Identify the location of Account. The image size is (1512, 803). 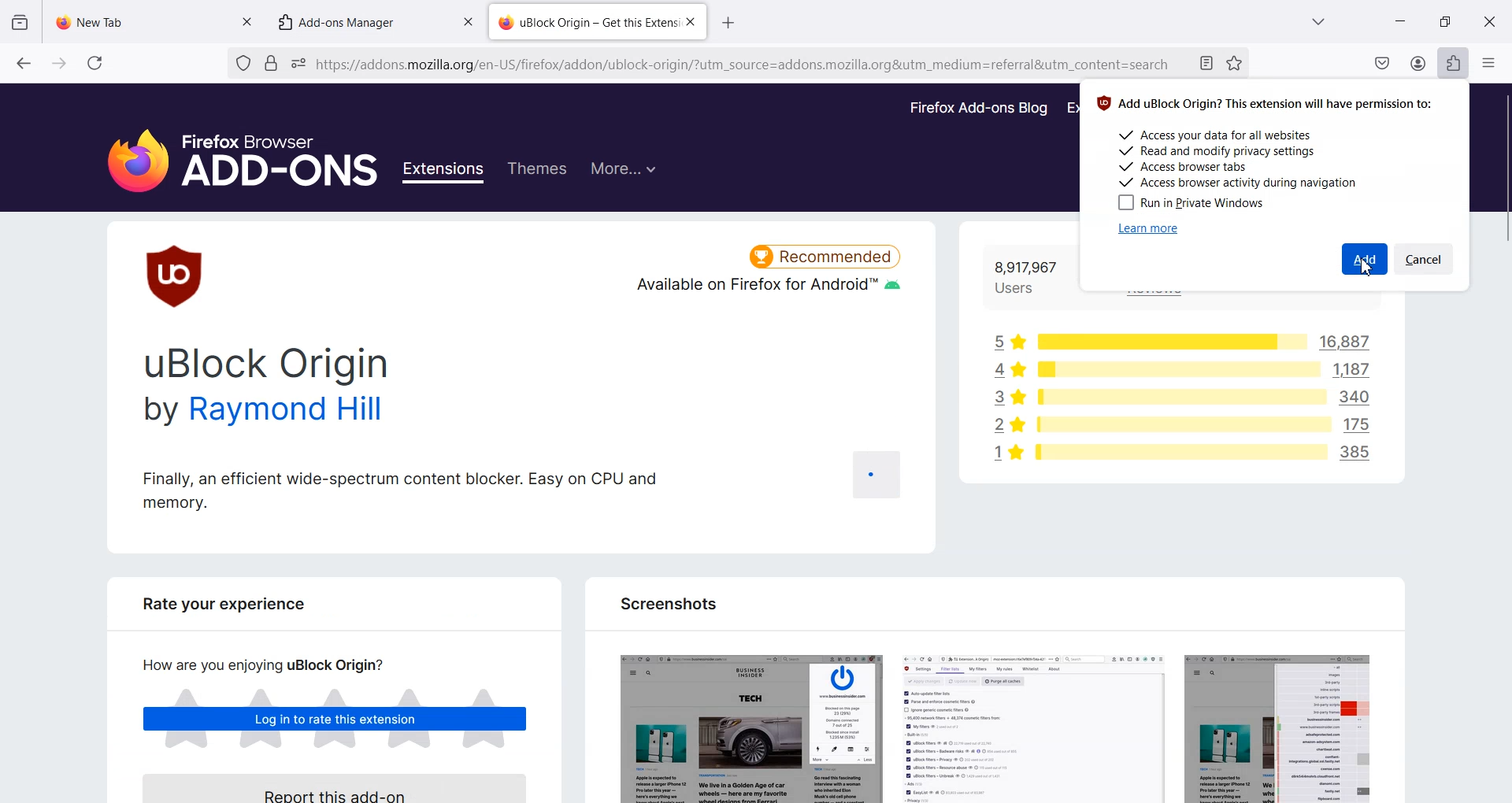
(1419, 63).